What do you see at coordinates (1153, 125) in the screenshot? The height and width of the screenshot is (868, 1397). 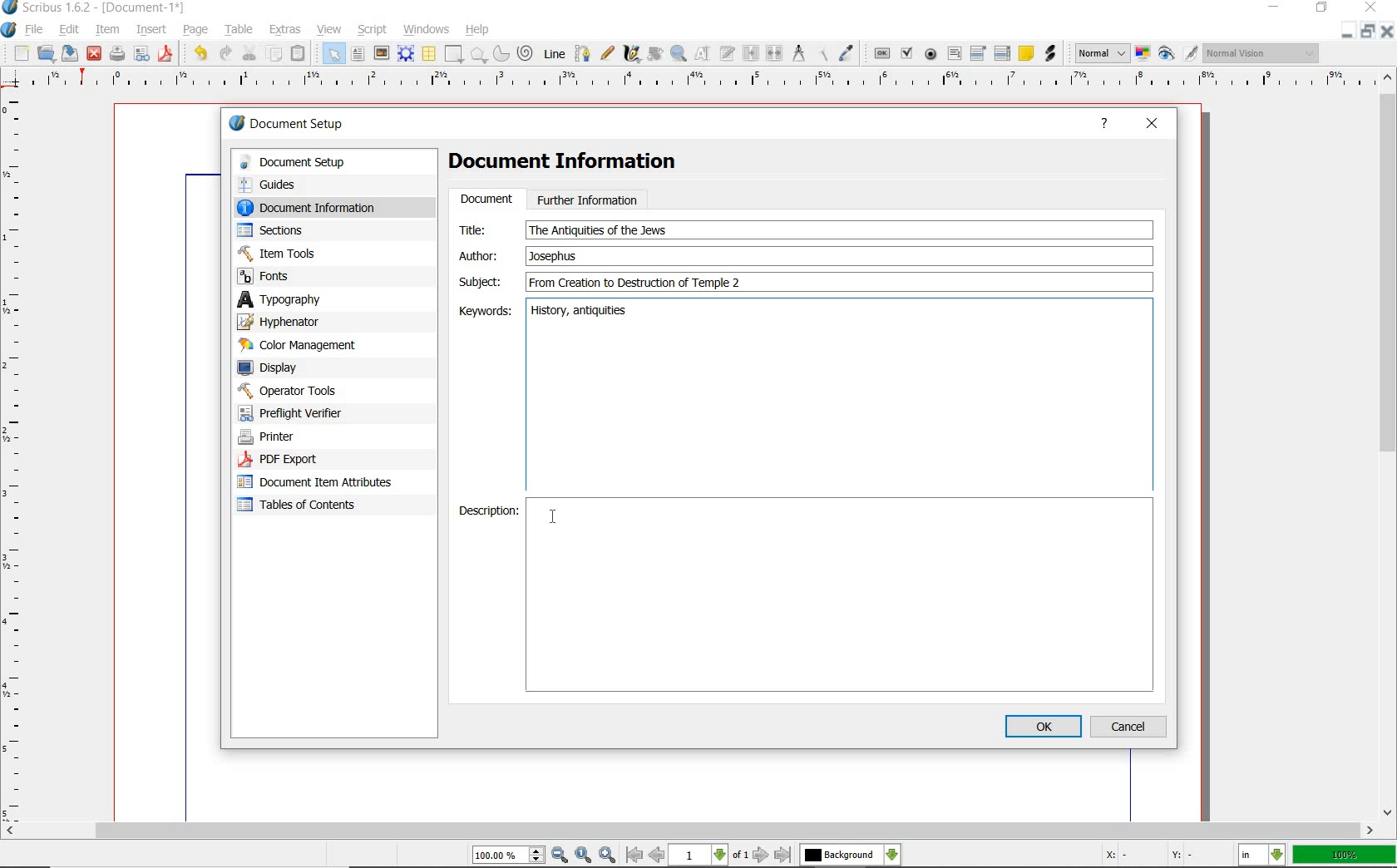 I see `close` at bounding box center [1153, 125].